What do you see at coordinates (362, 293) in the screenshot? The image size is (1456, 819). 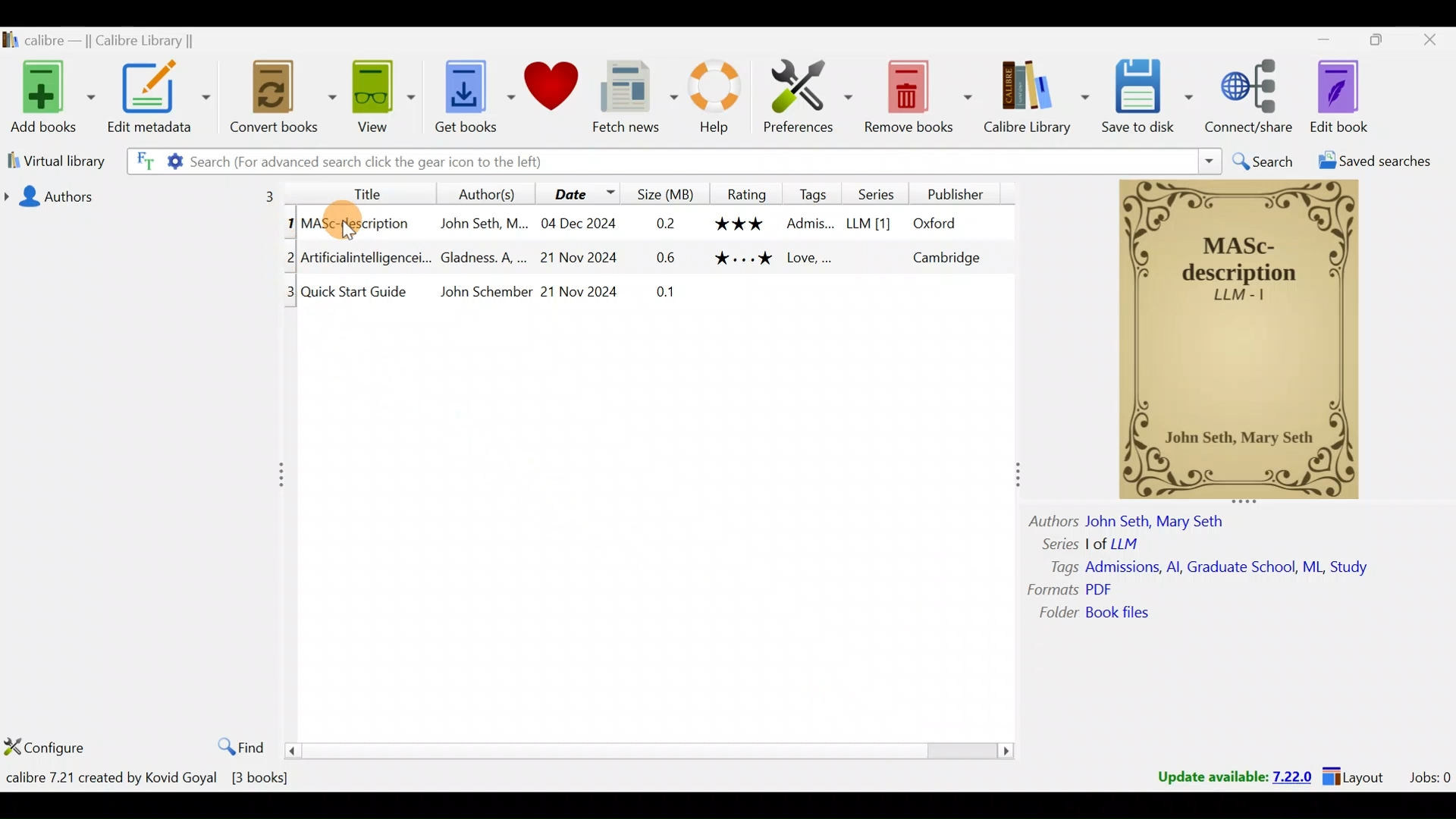 I see `` at bounding box center [362, 293].